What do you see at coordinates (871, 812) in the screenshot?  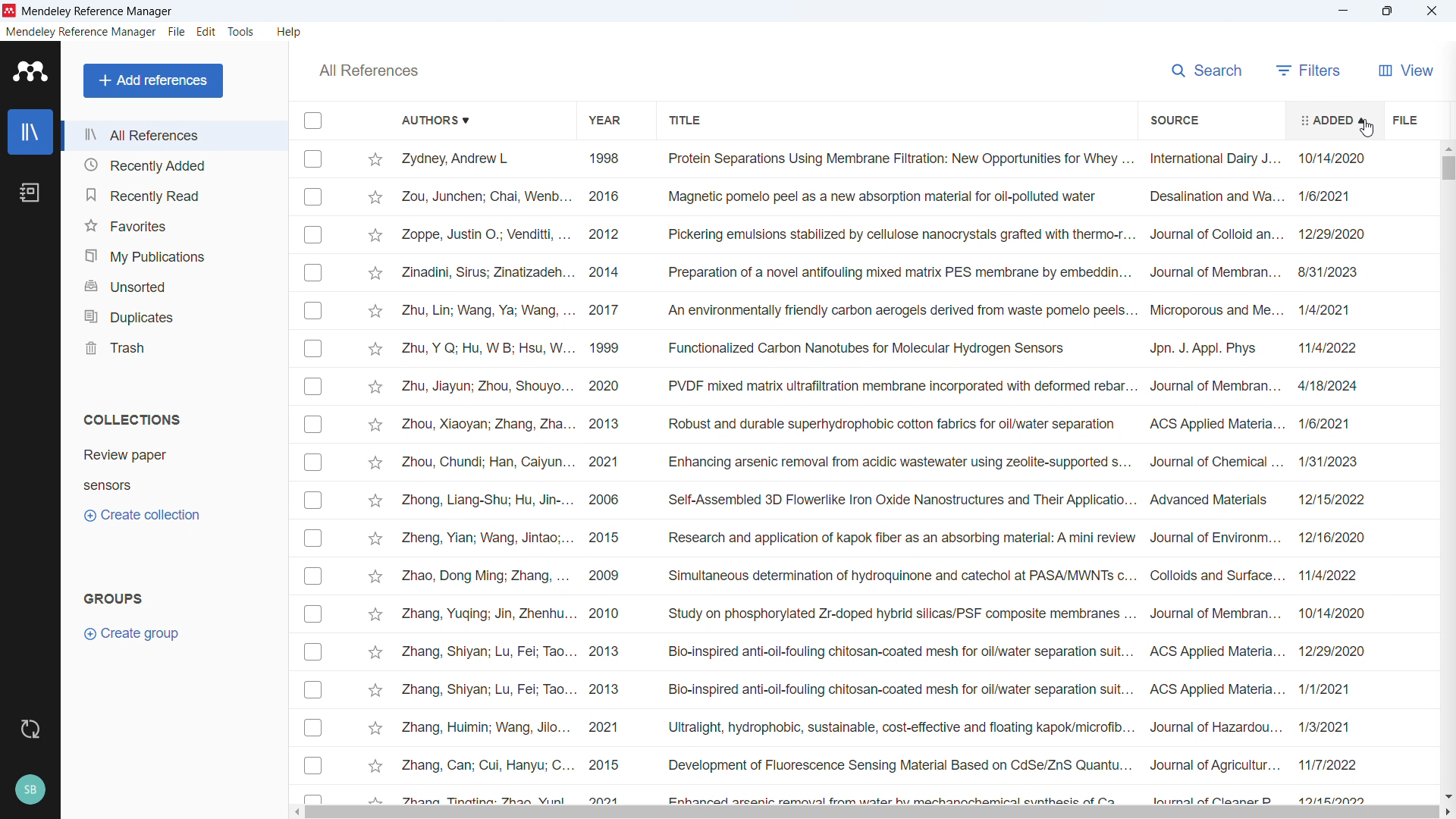 I see `Horizontal scrollbar ` at bounding box center [871, 812].